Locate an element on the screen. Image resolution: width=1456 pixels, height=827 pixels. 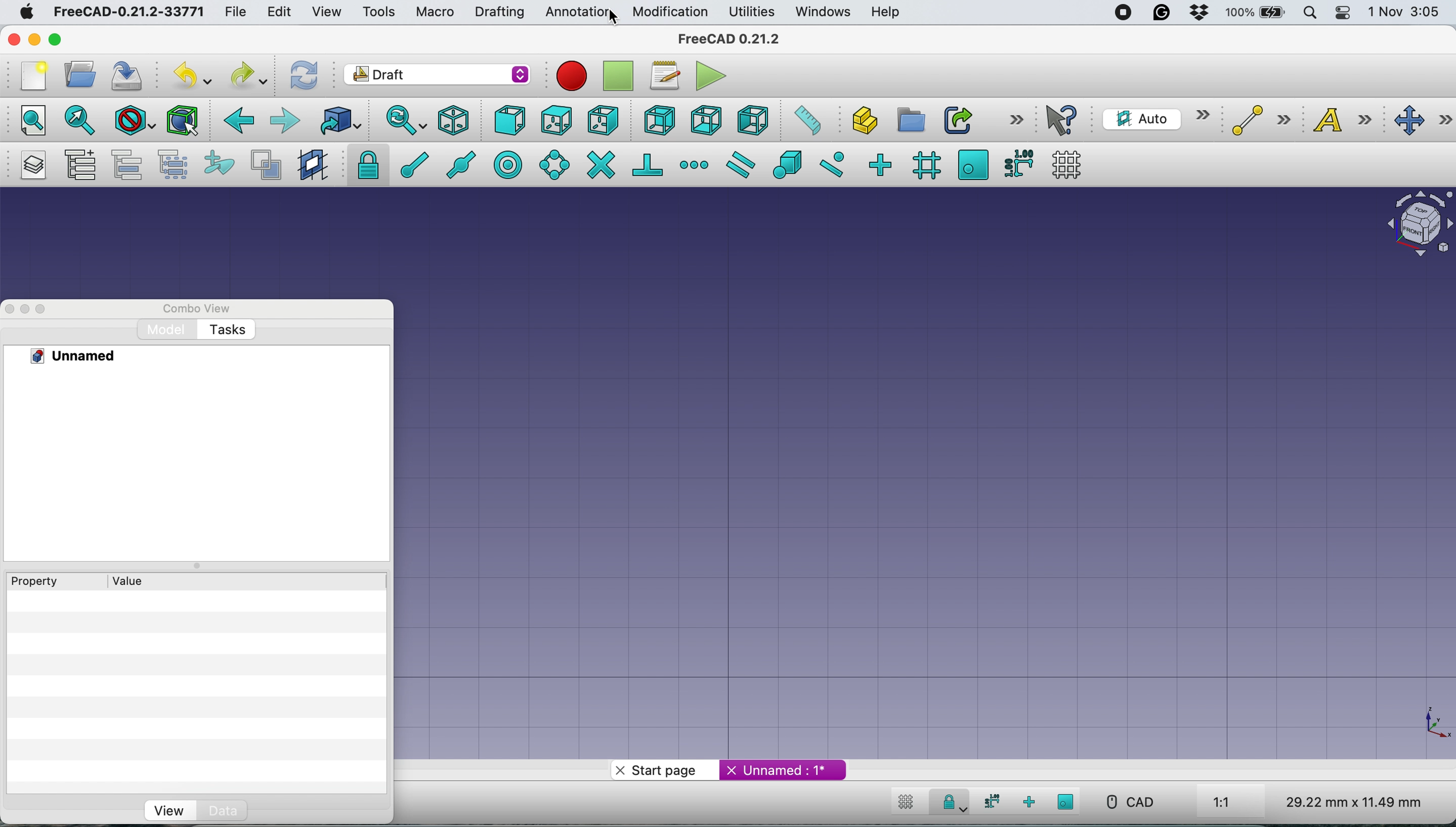
view is located at coordinates (167, 810).